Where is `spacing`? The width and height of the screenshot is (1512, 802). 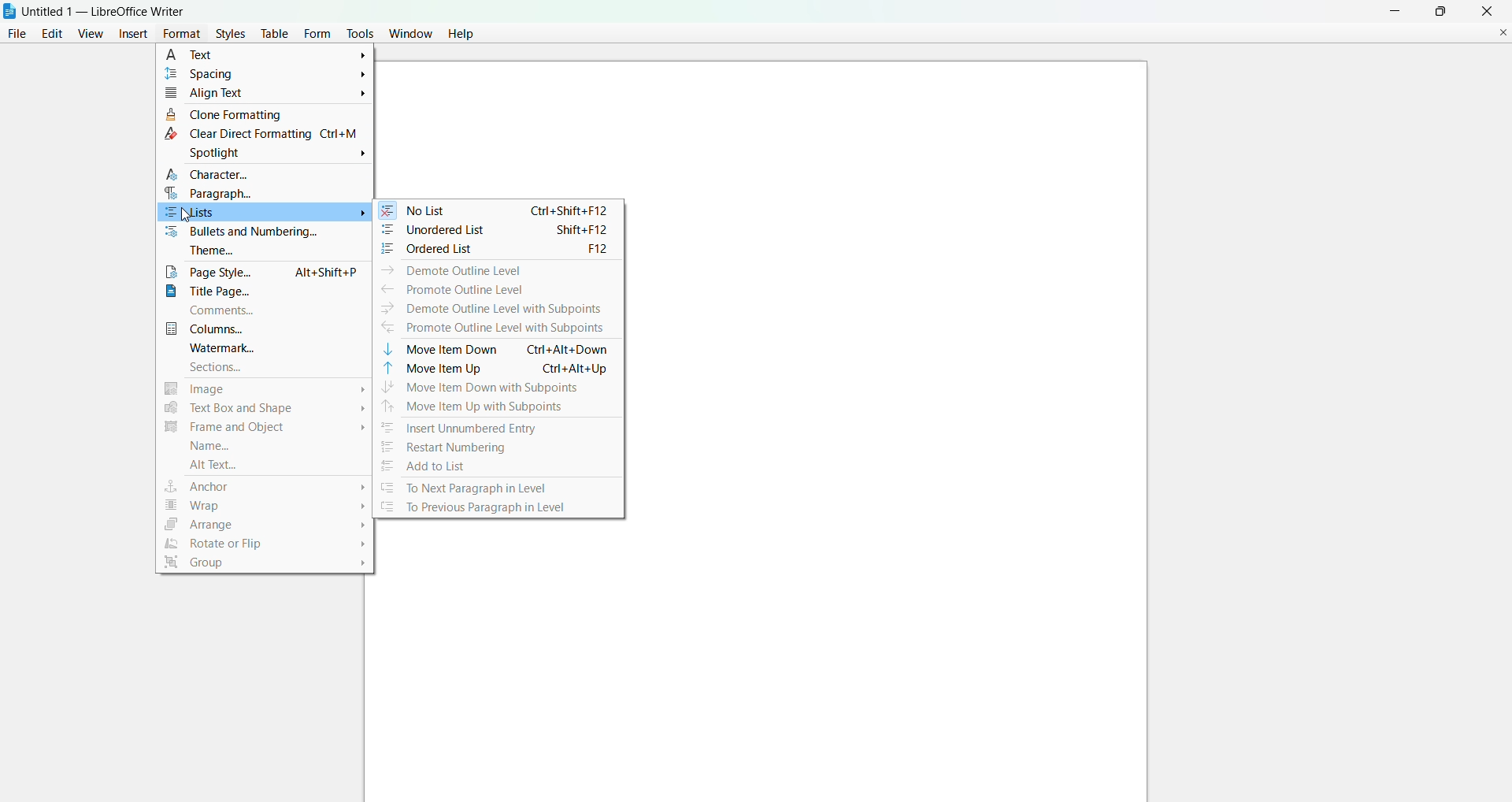 spacing is located at coordinates (264, 75).